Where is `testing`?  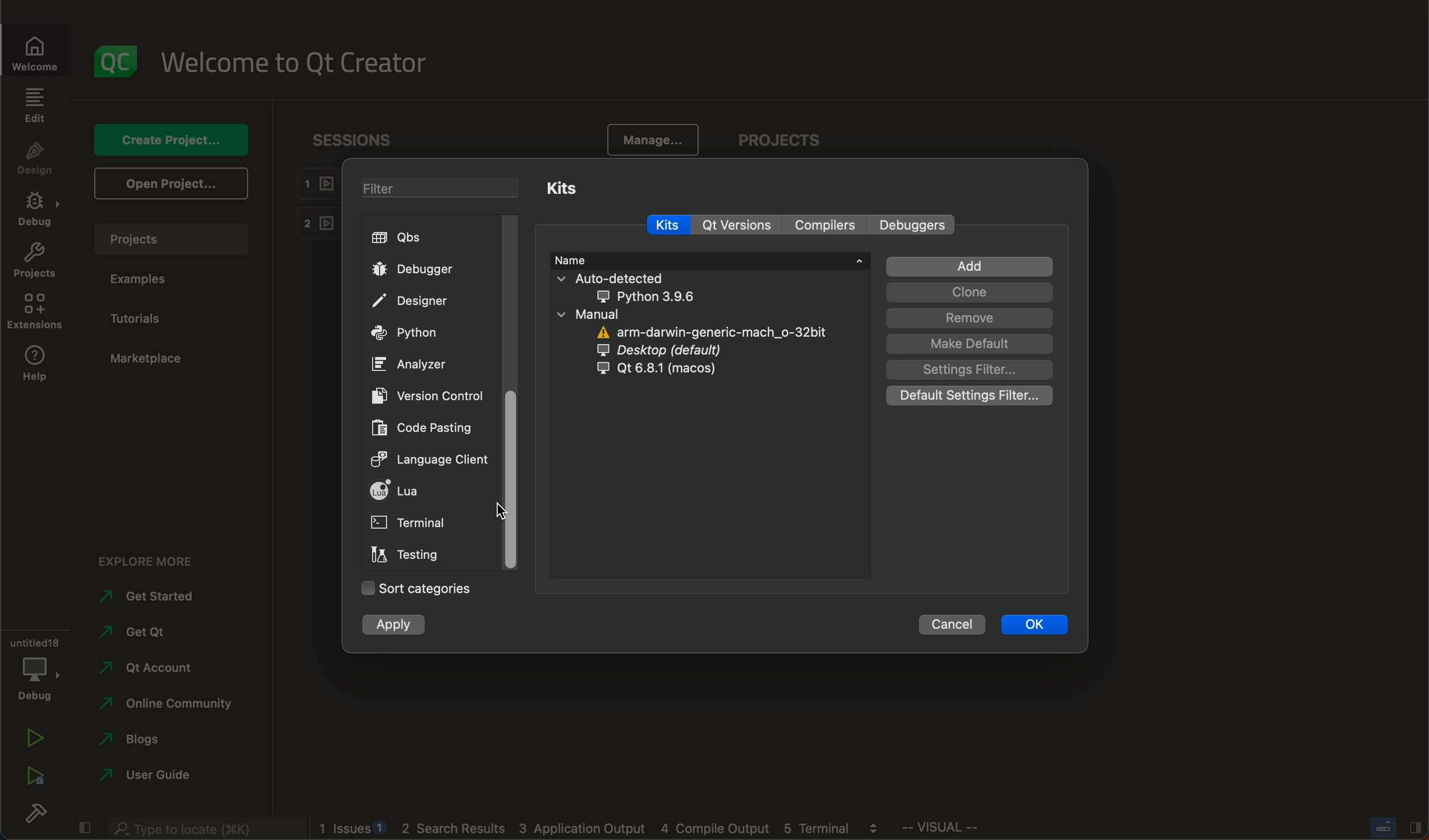
testing is located at coordinates (411, 555).